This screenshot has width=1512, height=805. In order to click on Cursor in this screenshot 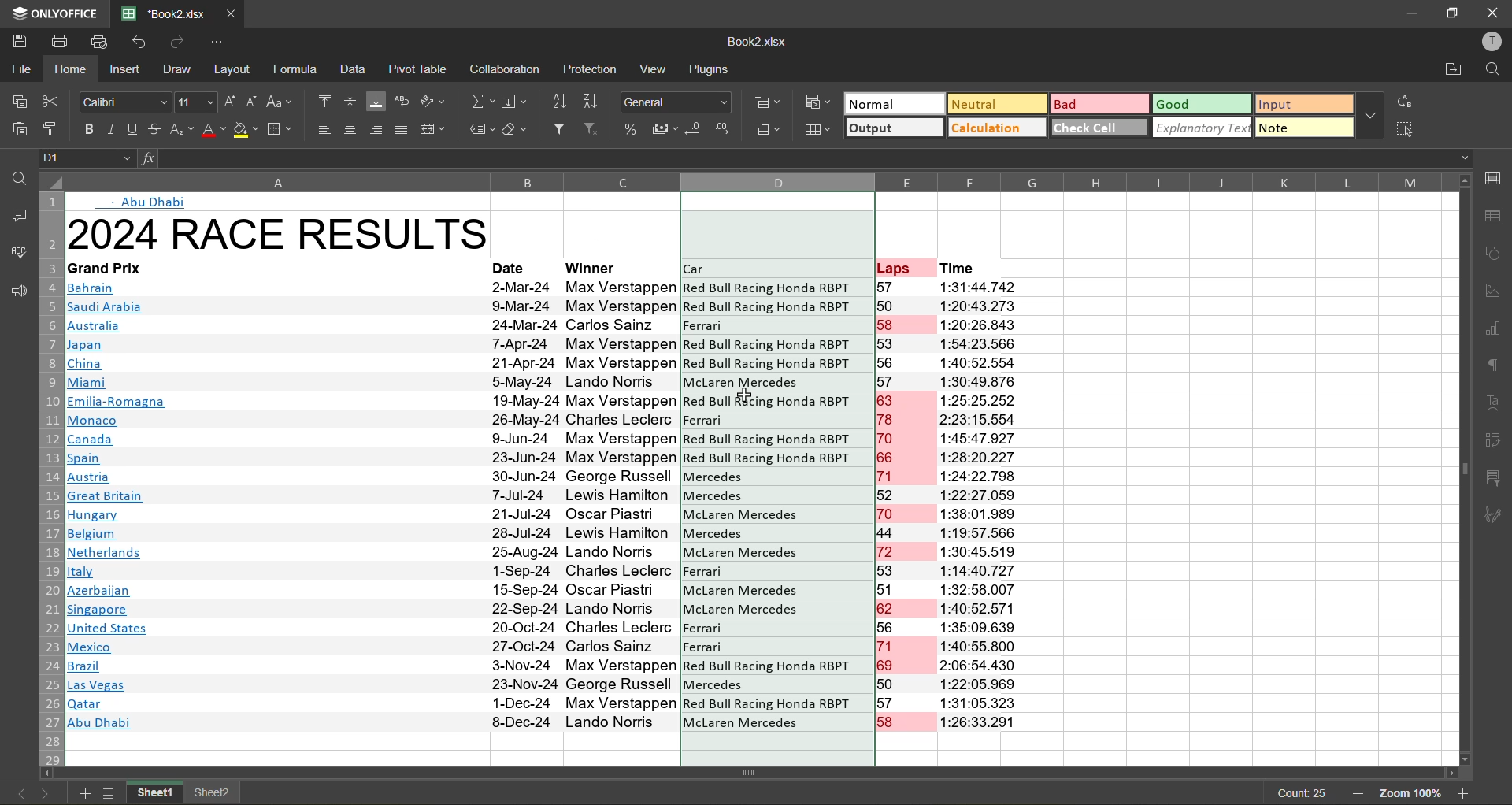, I will do `click(743, 395)`.